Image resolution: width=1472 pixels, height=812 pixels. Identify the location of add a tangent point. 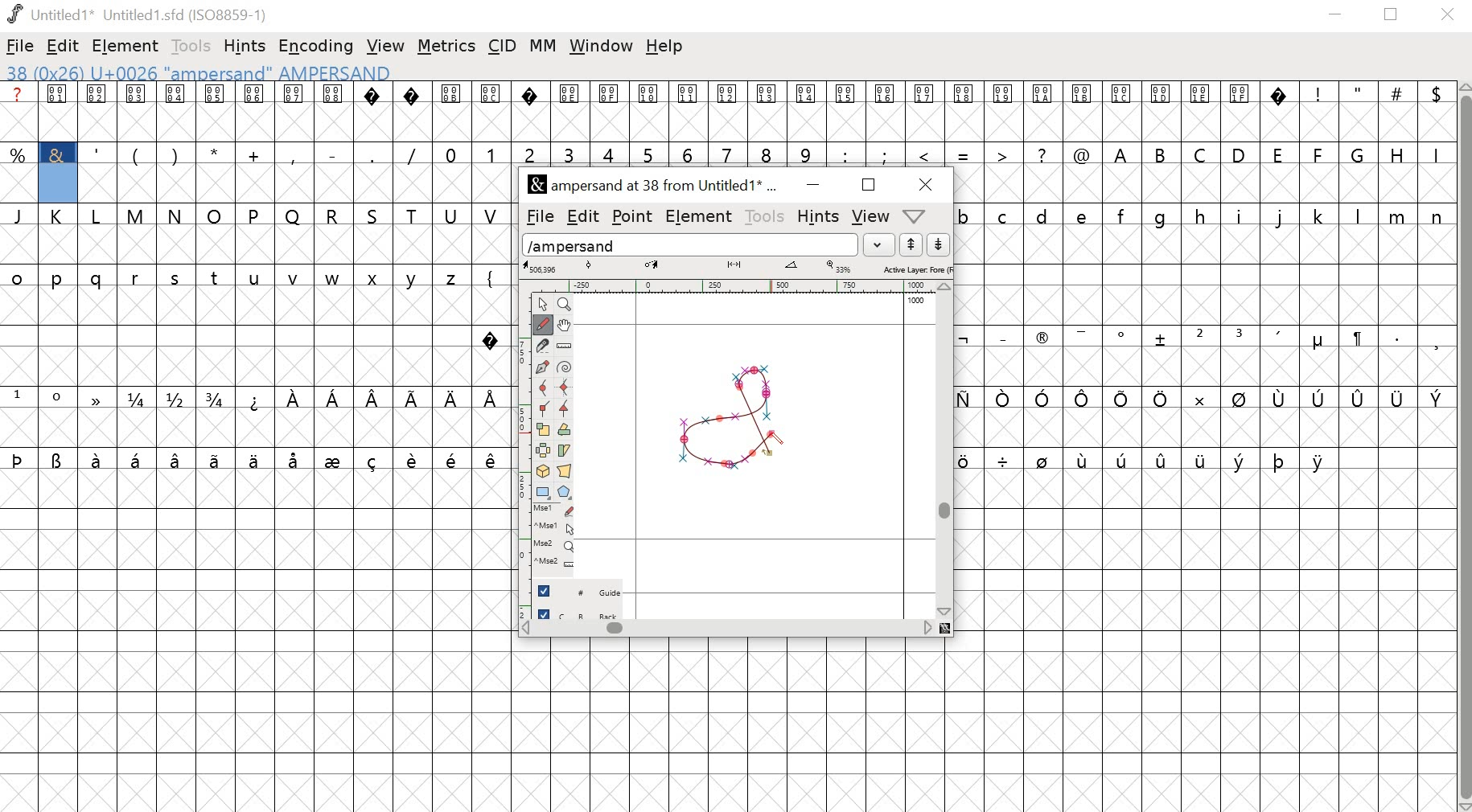
(566, 411).